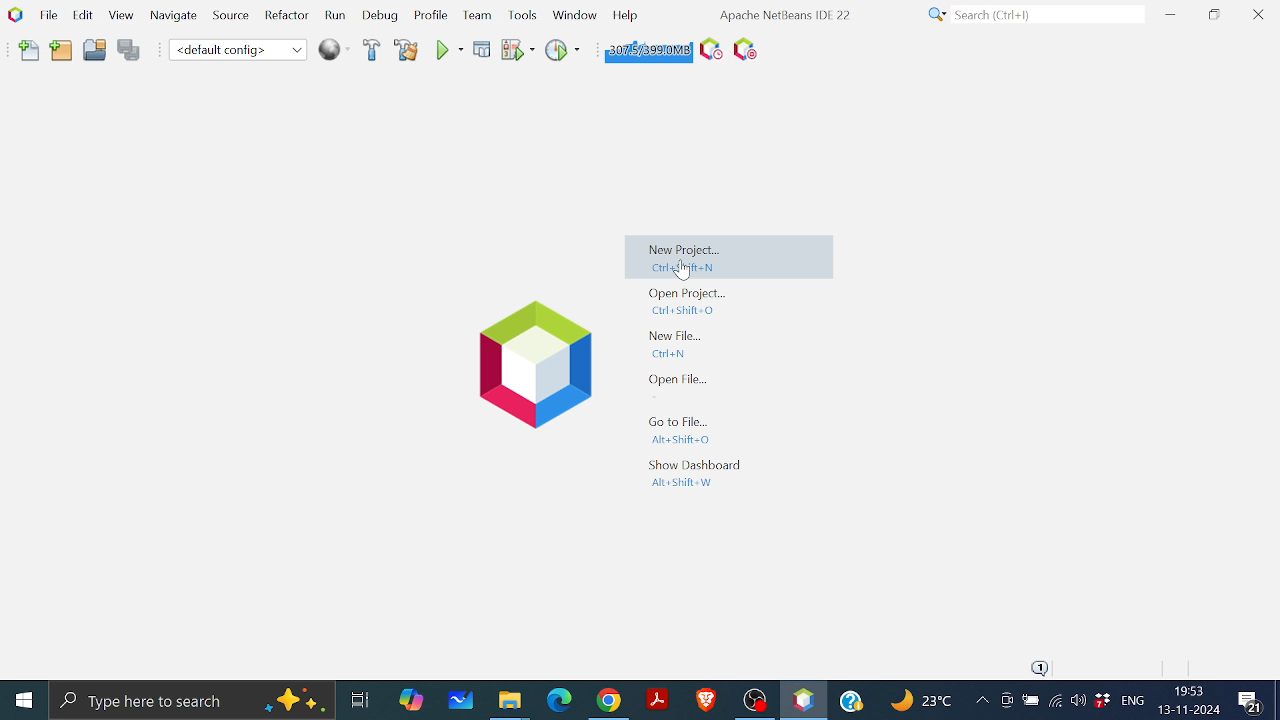 Image resolution: width=1280 pixels, height=720 pixels. What do you see at coordinates (692, 473) in the screenshot?
I see `Show dashboard` at bounding box center [692, 473].